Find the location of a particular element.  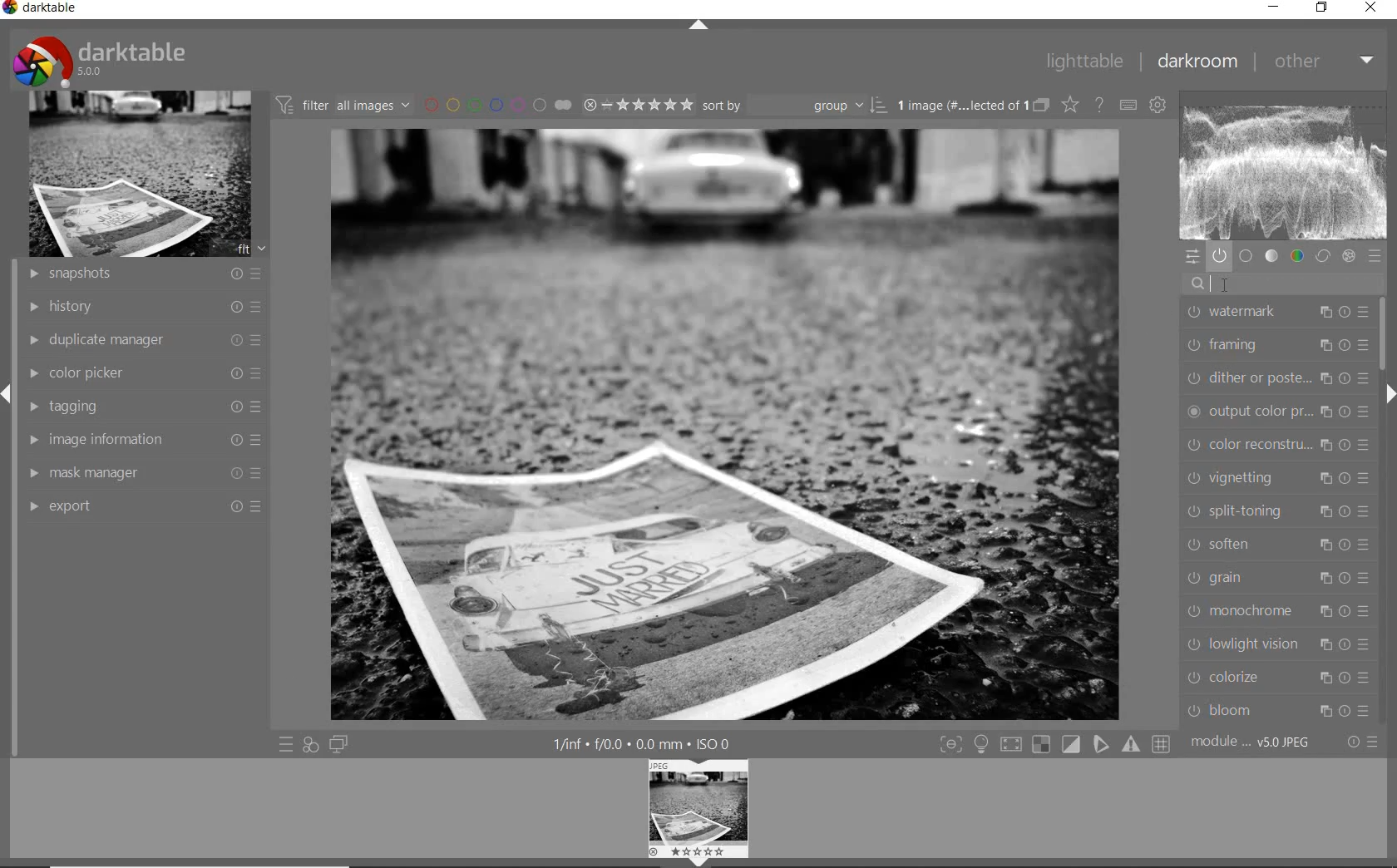

darktable is located at coordinates (101, 60).